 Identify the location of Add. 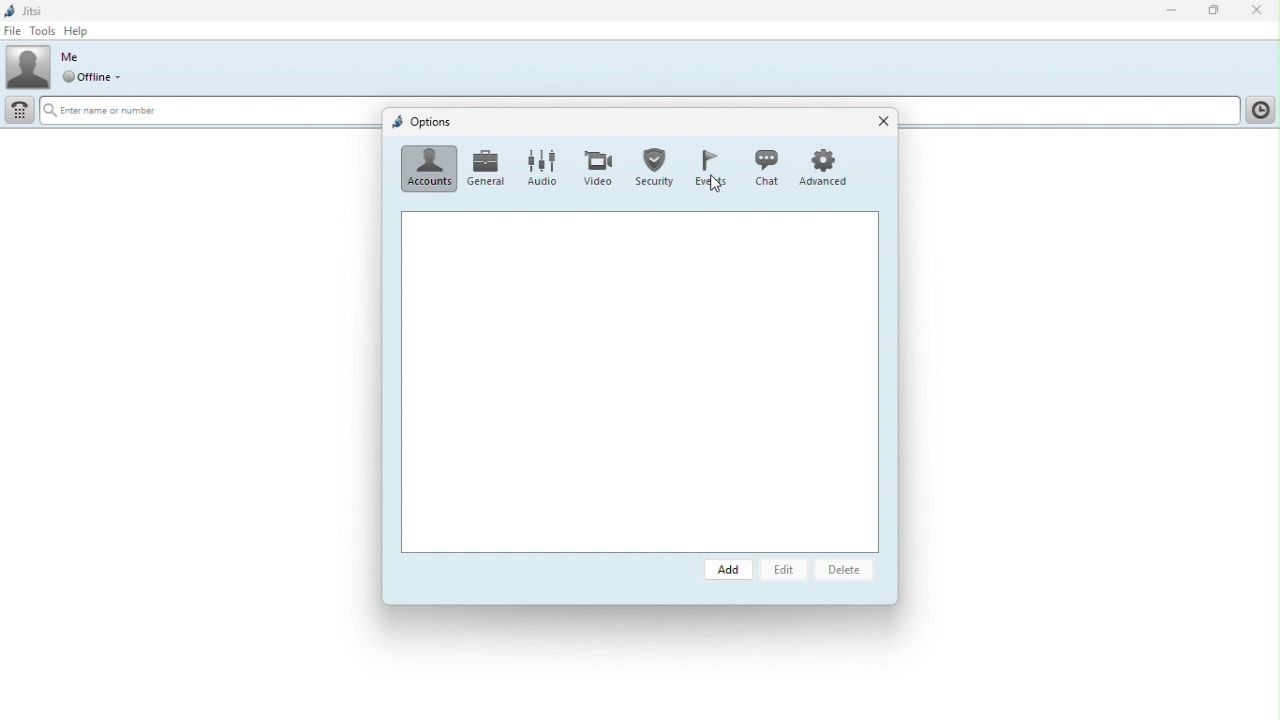
(728, 570).